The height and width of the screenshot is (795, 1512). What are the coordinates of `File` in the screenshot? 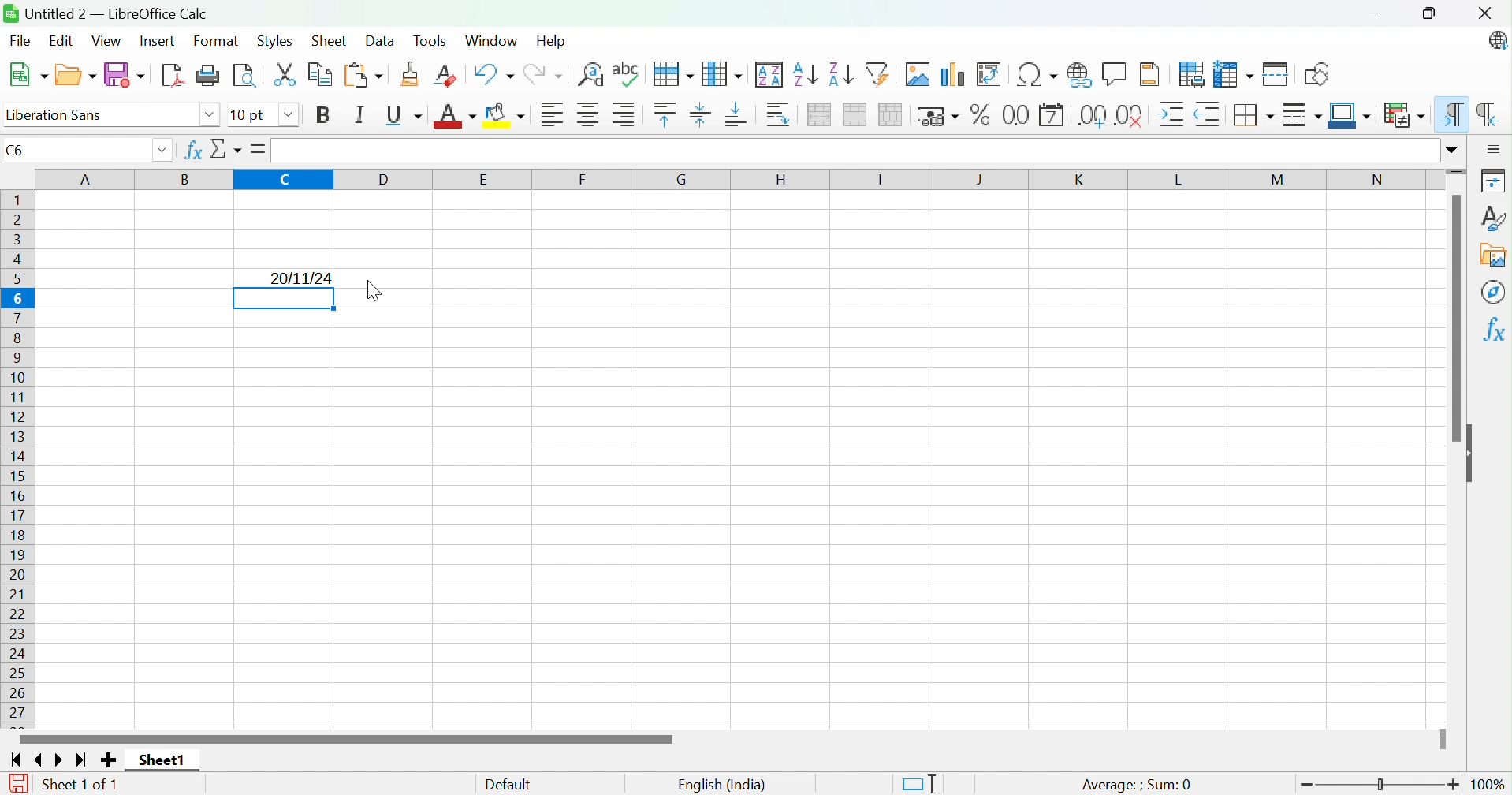 It's located at (20, 43).